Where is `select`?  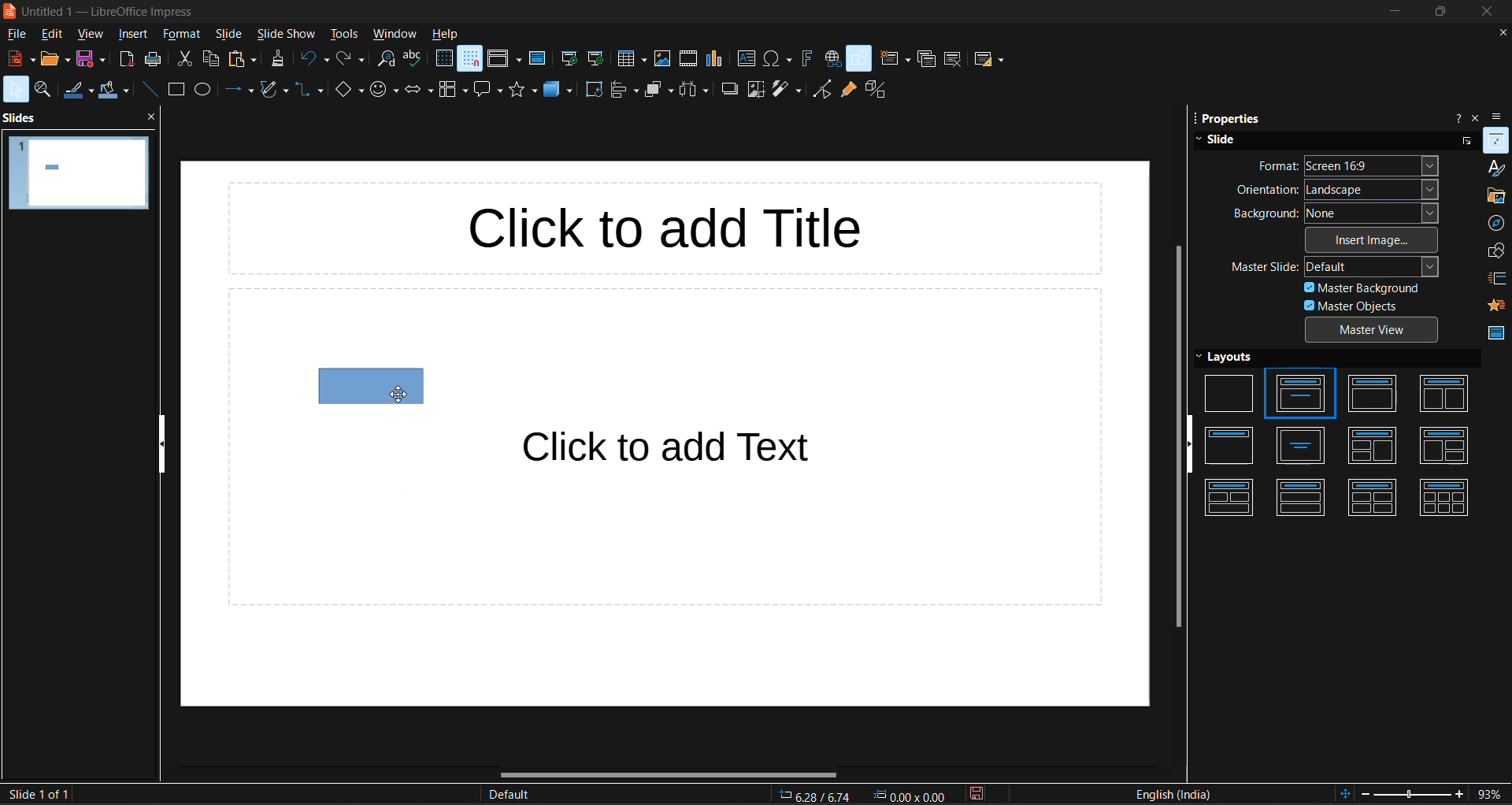
select is located at coordinates (16, 88).